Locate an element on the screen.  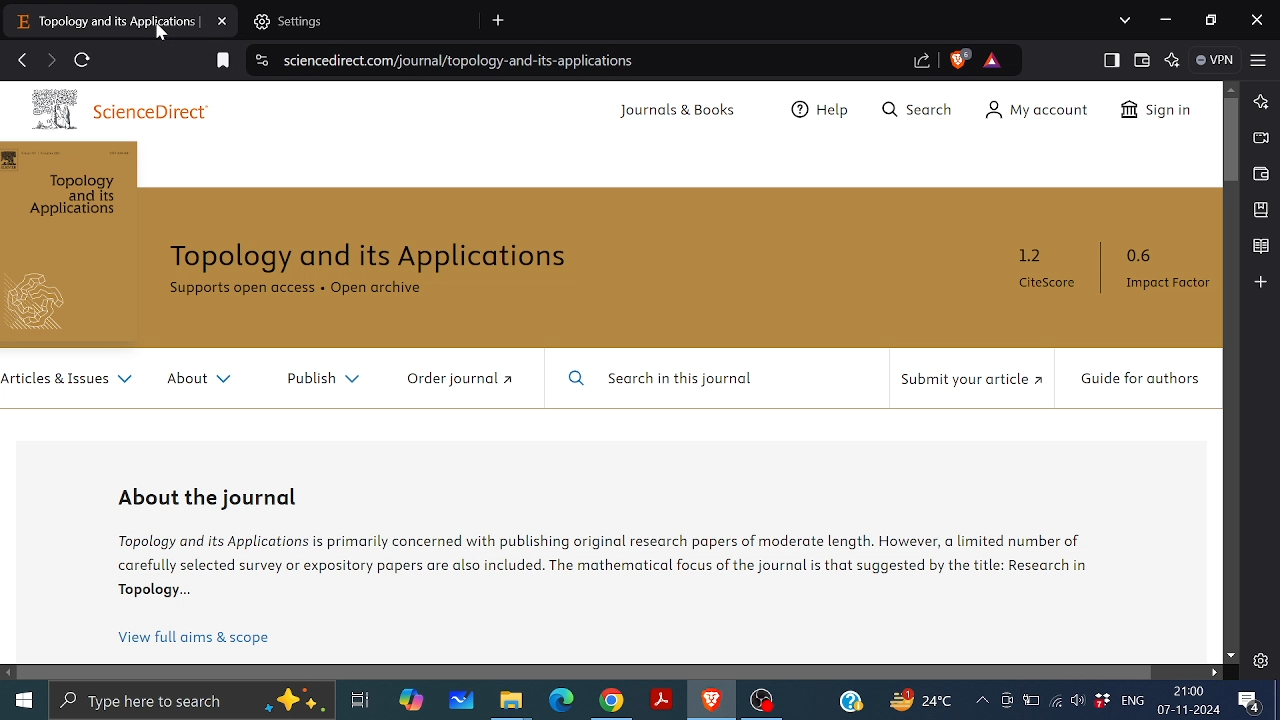
Rewards is located at coordinates (993, 61).